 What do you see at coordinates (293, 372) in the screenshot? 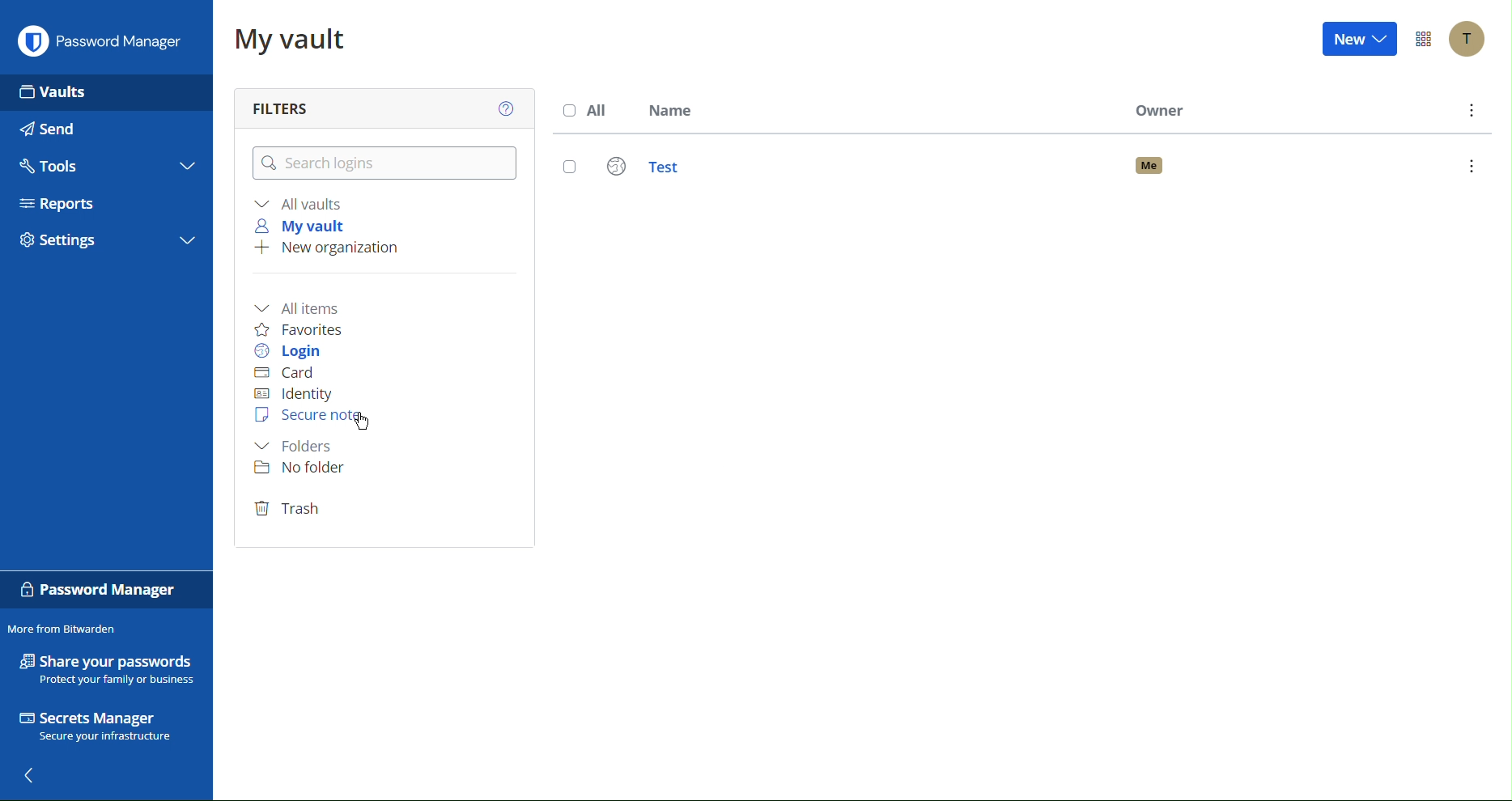
I see `Card` at bounding box center [293, 372].